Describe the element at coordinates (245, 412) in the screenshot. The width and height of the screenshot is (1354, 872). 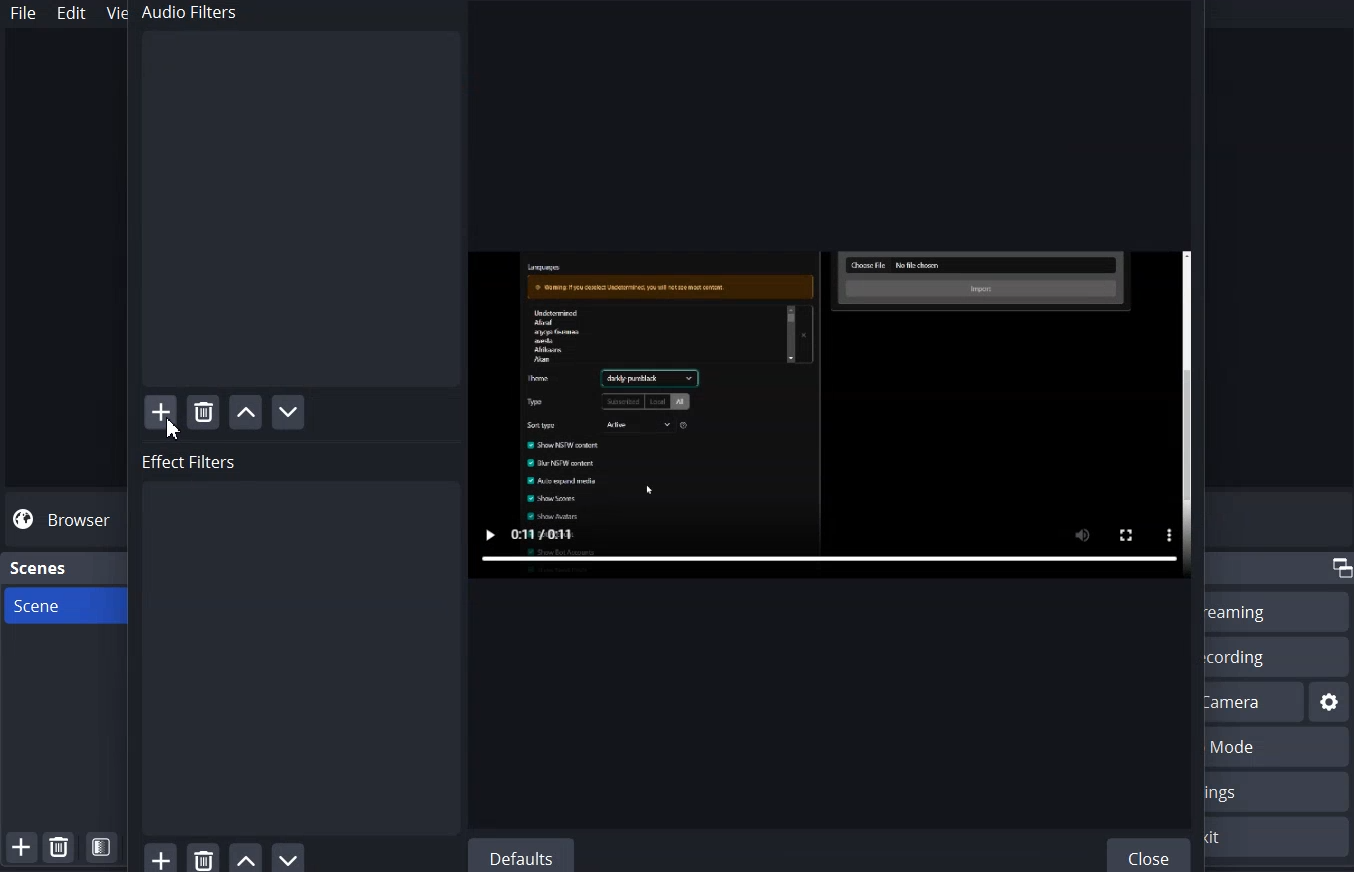
I see `Move Filter Up` at that location.